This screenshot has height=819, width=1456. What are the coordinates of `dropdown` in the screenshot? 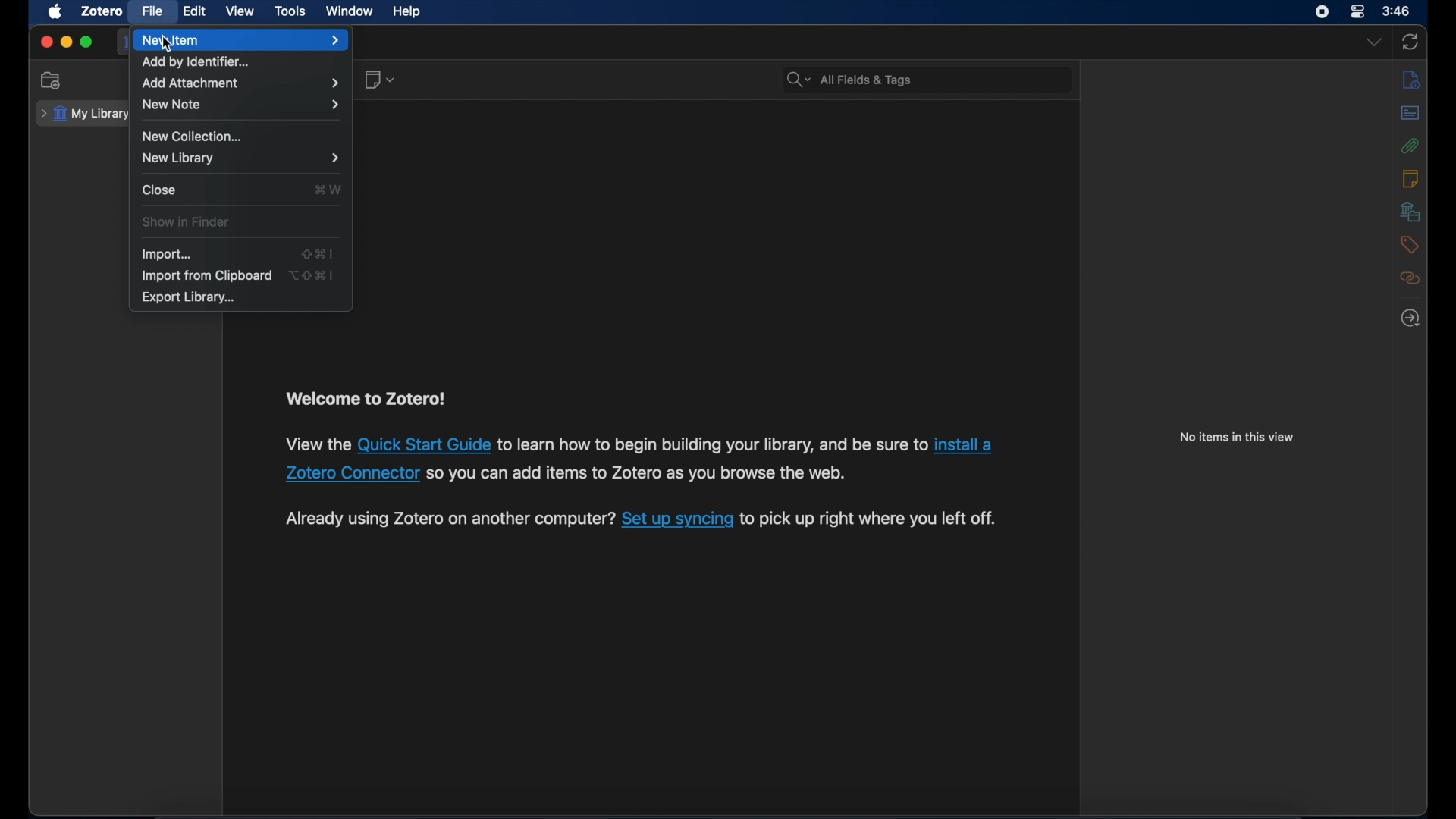 It's located at (1374, 42).